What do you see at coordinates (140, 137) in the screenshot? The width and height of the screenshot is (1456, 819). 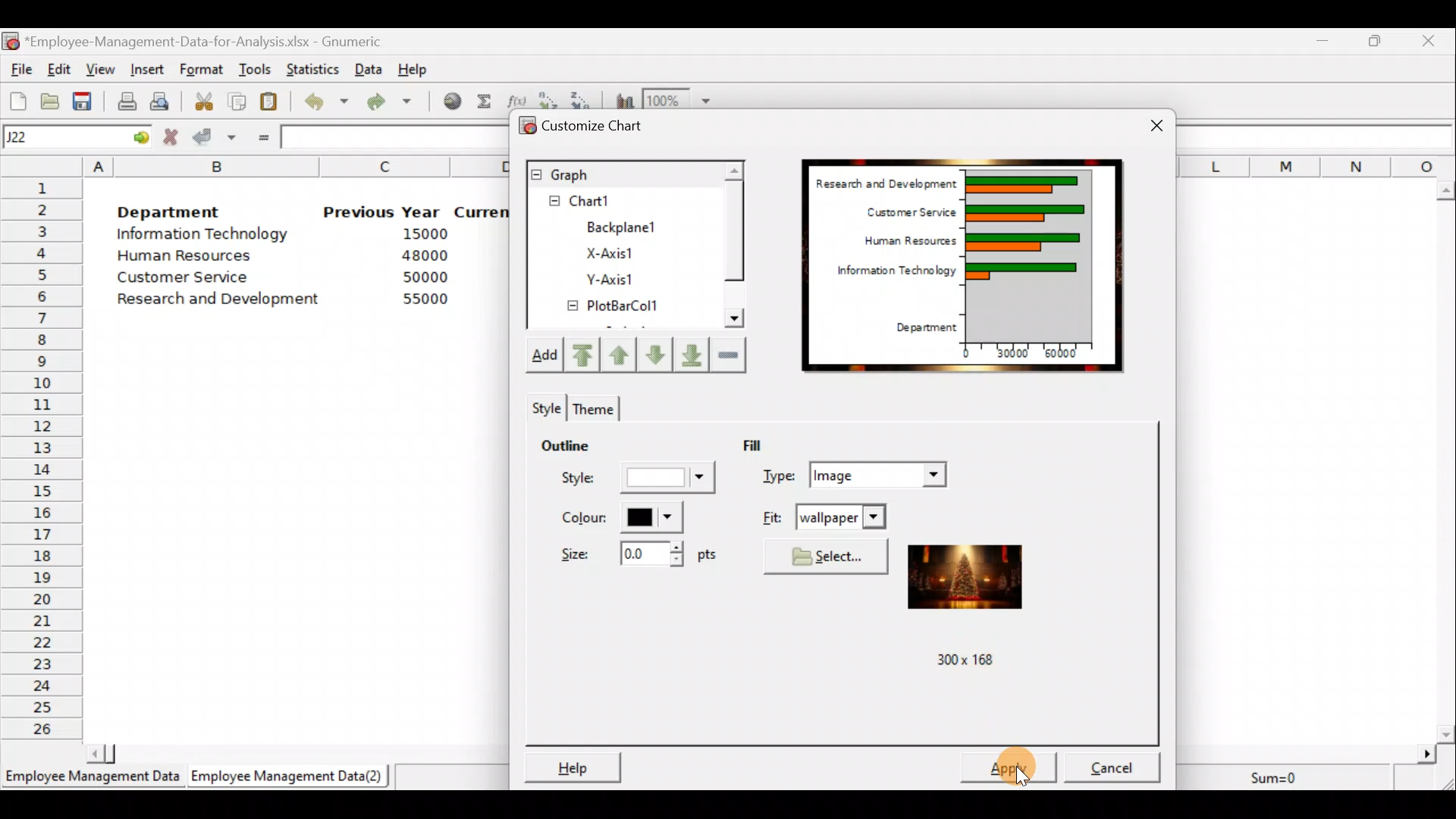 I see `go to` at bounding box center [140, 137].